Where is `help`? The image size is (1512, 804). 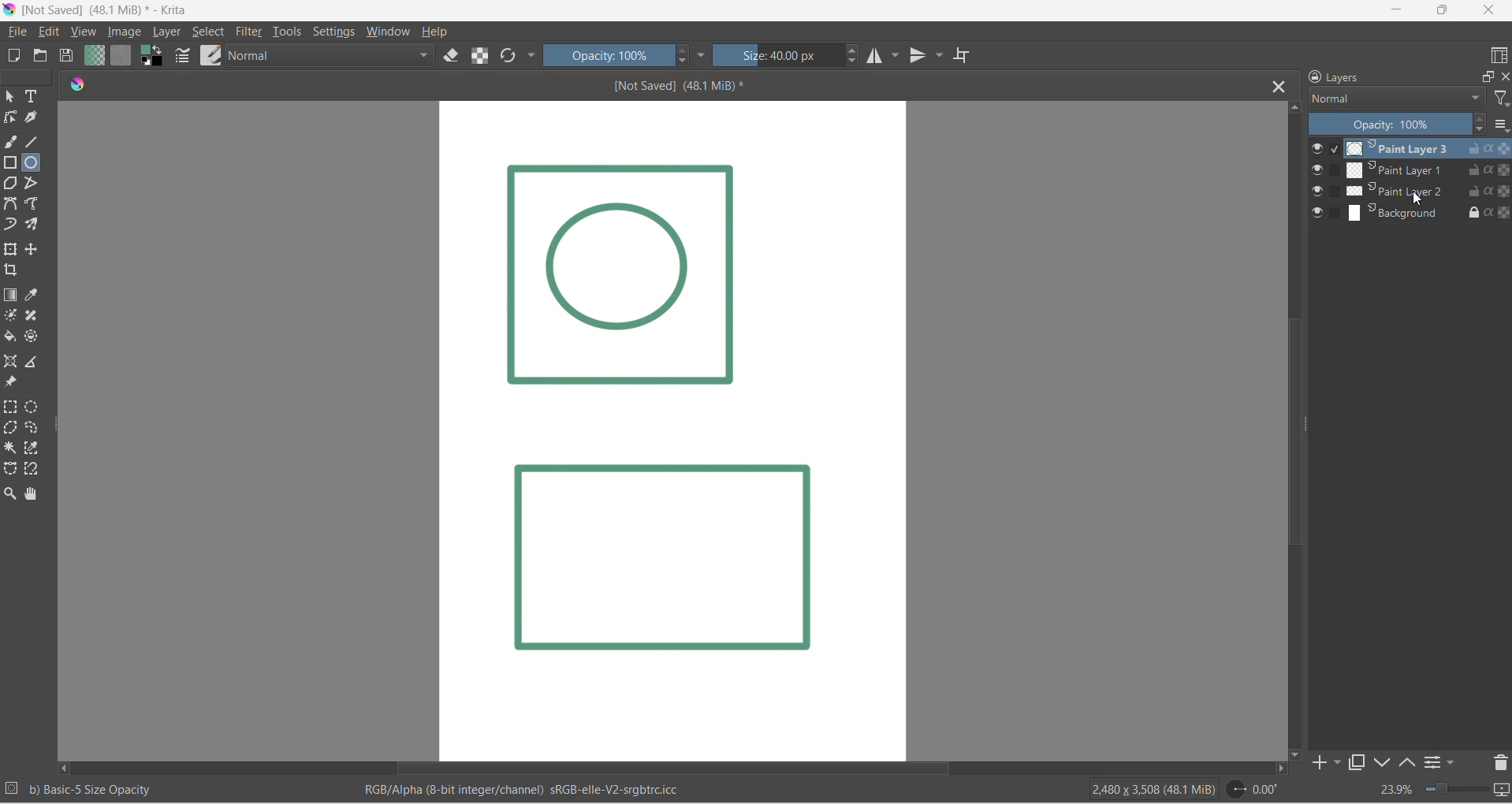 help is located at coordinates (434, 33).